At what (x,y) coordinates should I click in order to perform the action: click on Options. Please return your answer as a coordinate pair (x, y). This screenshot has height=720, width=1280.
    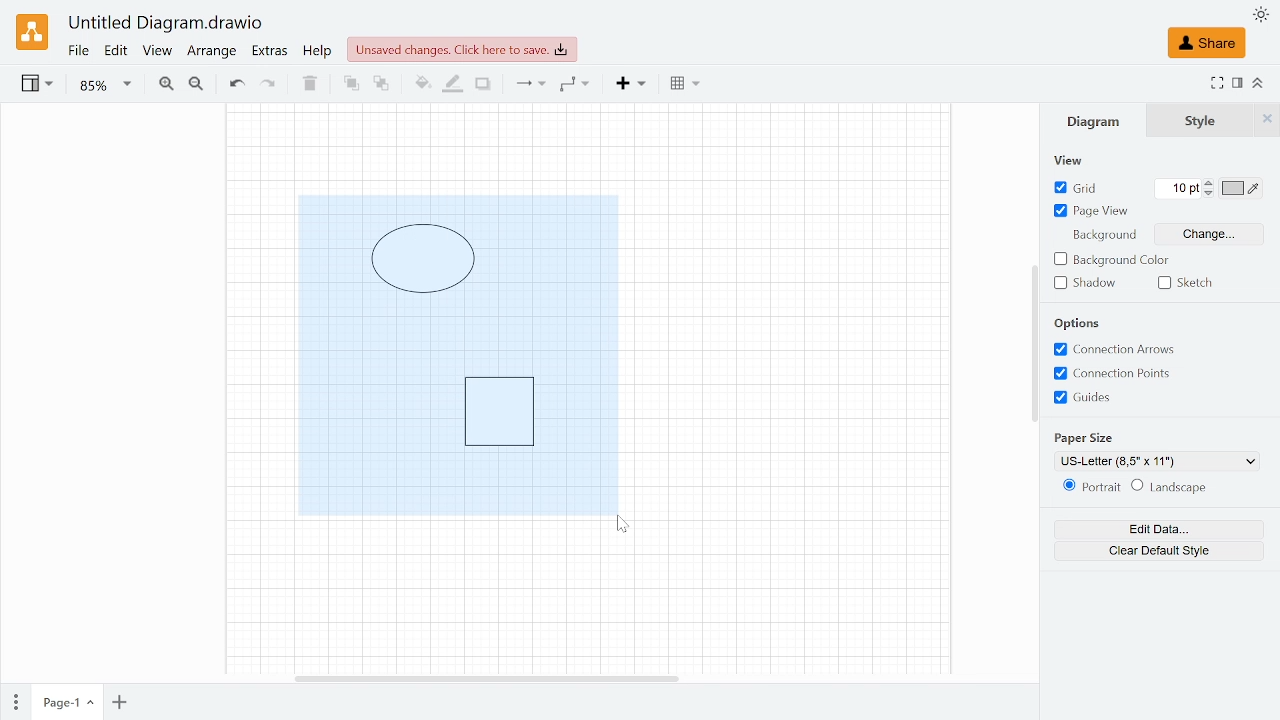
    Looking at the image, I should click on (1078, 323).